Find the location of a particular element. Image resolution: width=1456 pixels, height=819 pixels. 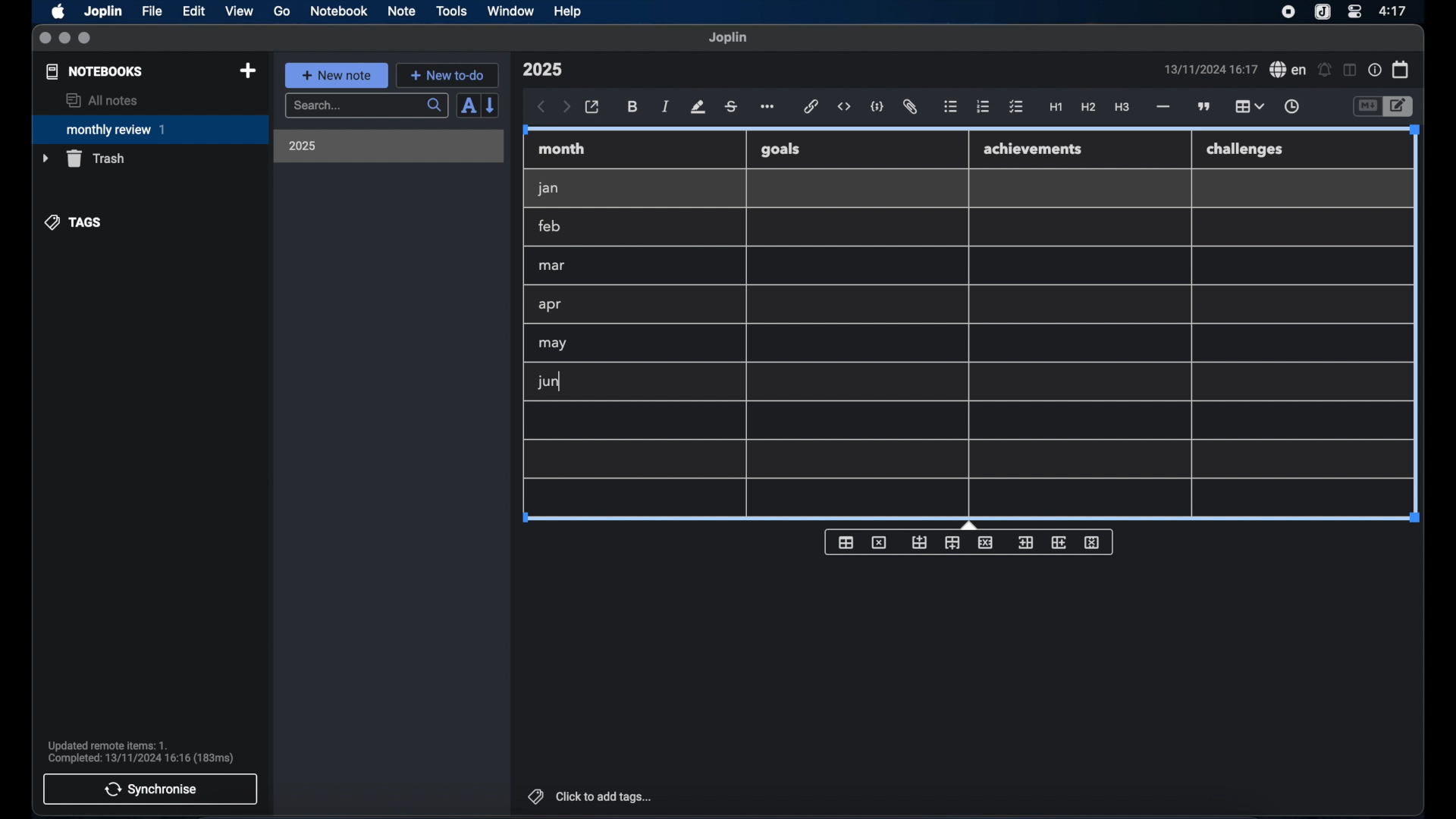

new to-do is located at coordinates (448, 75).